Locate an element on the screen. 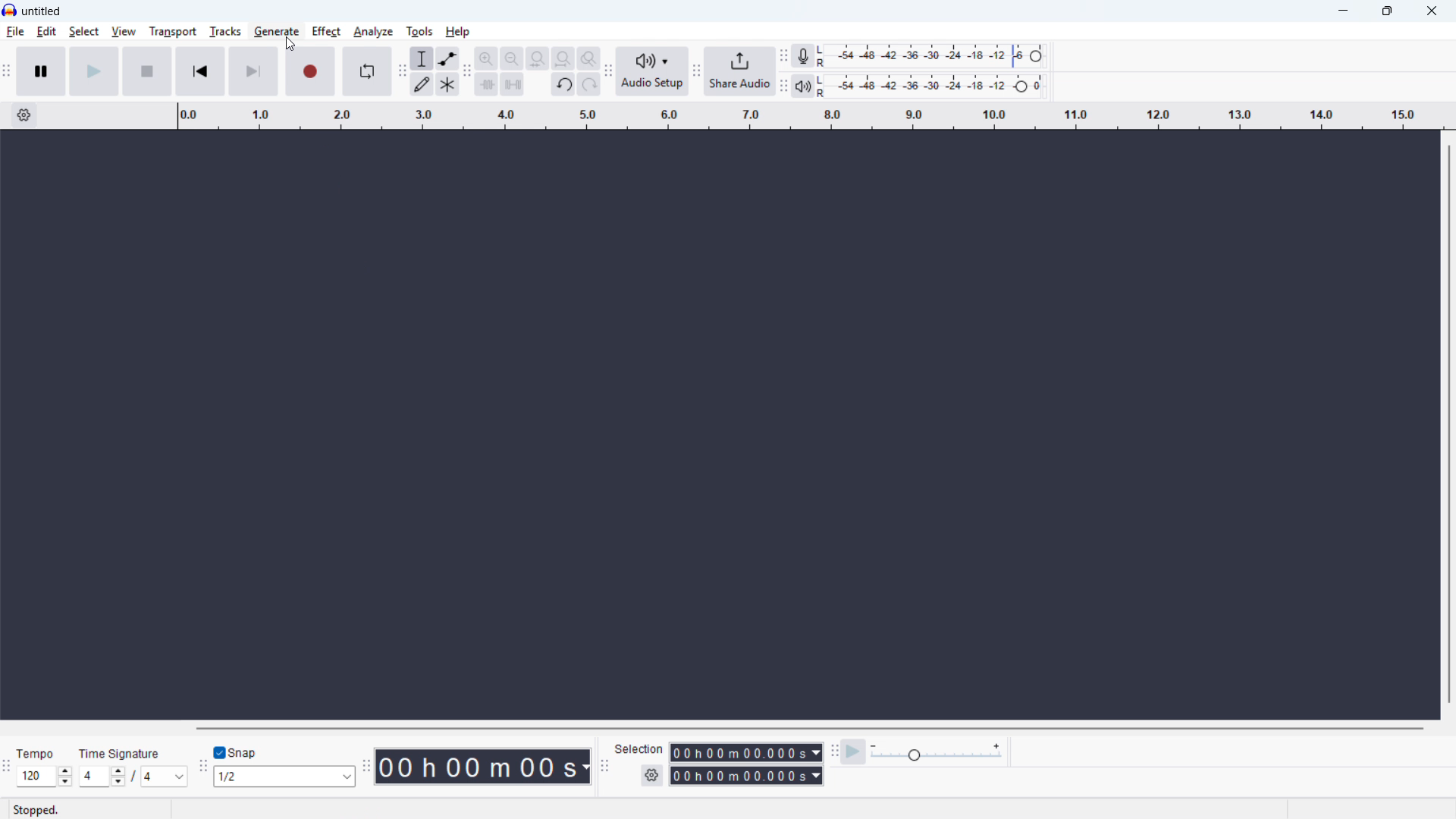 The height and width of the screenshot is (819, 1456). stop  is located at coordinates (147, 71).